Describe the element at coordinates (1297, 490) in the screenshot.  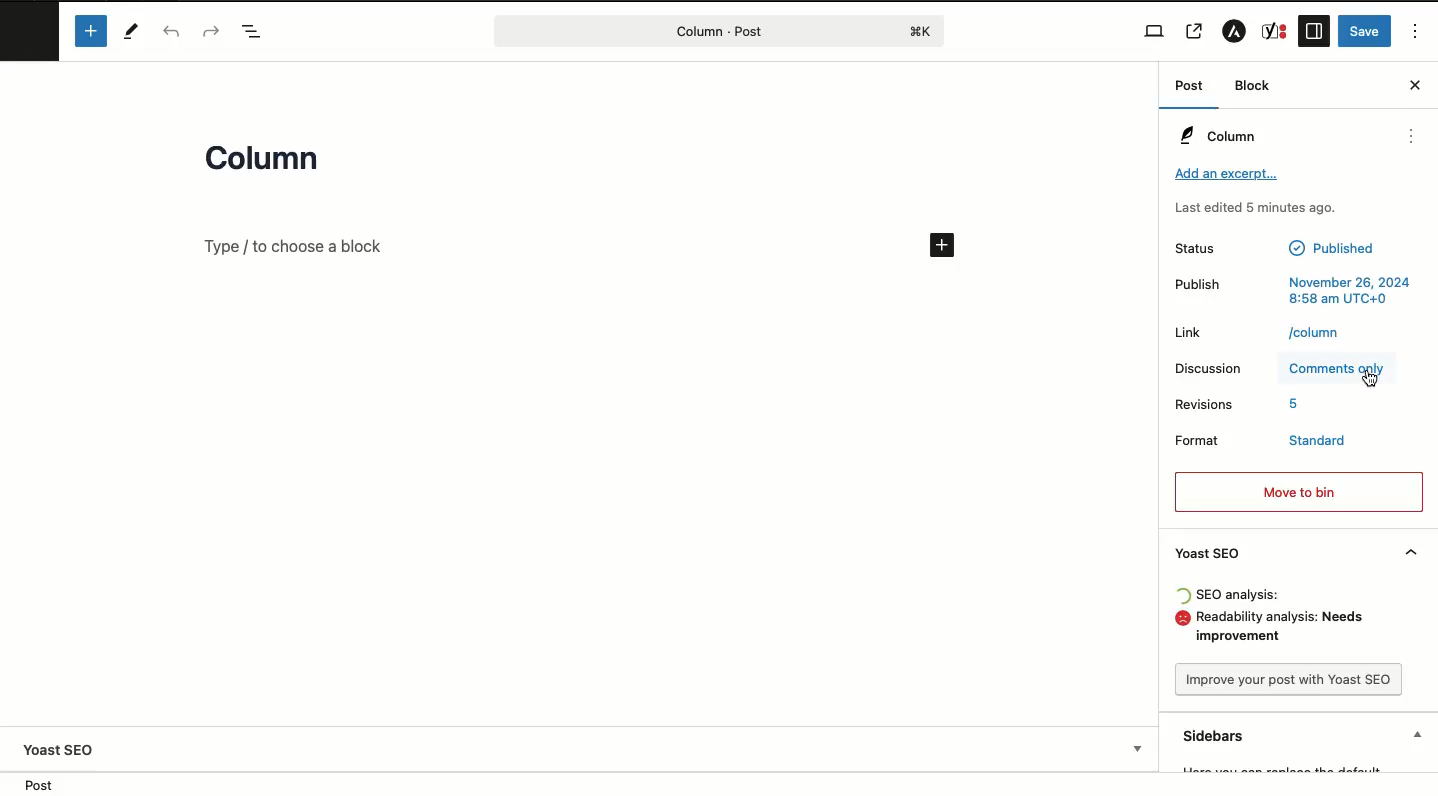
I see `Move to bin` at that location.